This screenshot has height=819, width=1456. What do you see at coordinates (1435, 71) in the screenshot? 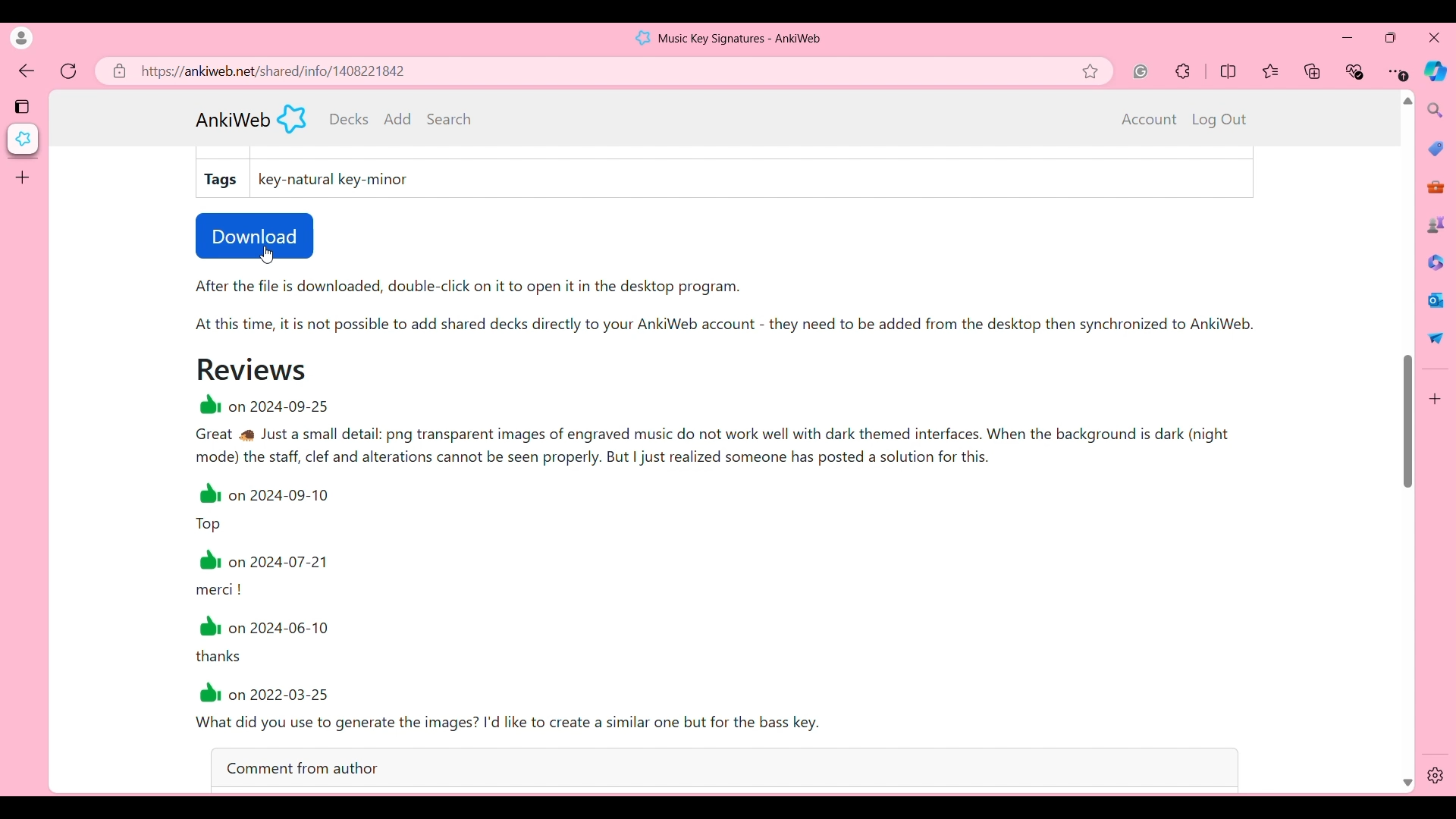
I see `Browser AI` at bounding box center [1435, 71].